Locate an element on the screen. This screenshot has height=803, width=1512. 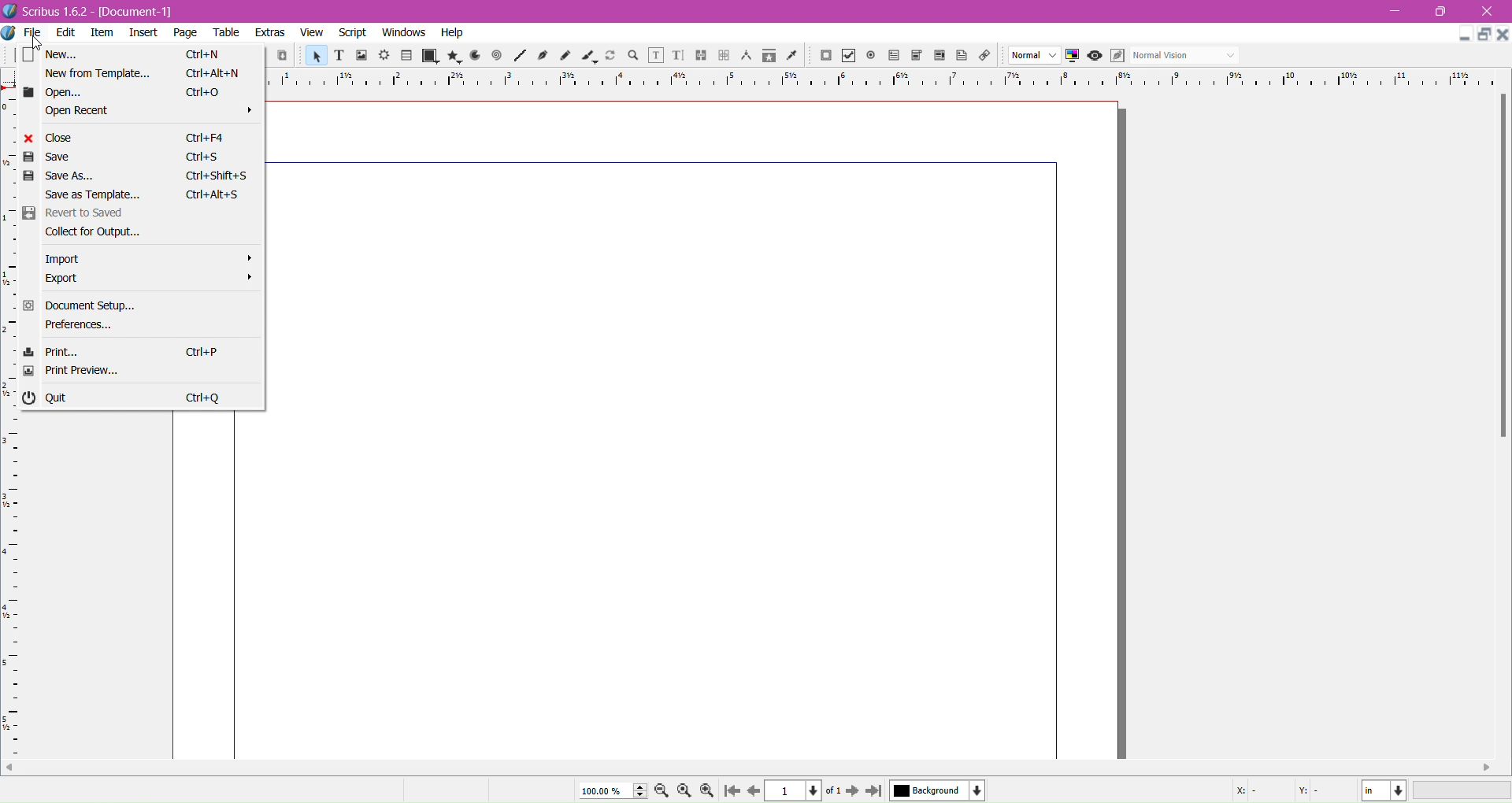
Rotate Item is located at coordinates (610, 56).